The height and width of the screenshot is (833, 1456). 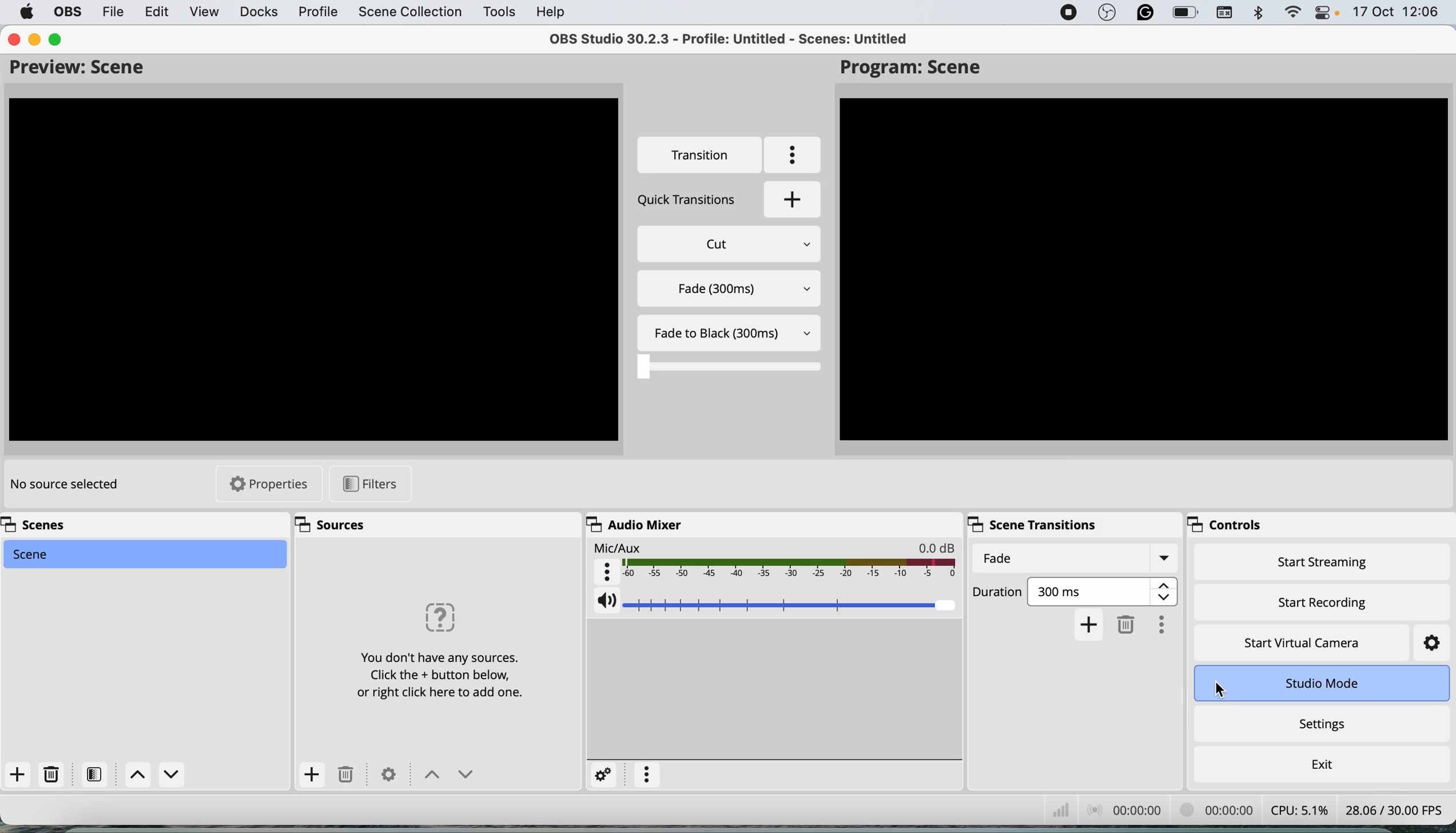 What do you see at coordinates (158, 774) in the screenshot?
I see `switch between scenes` at bounding box center [158, 774].